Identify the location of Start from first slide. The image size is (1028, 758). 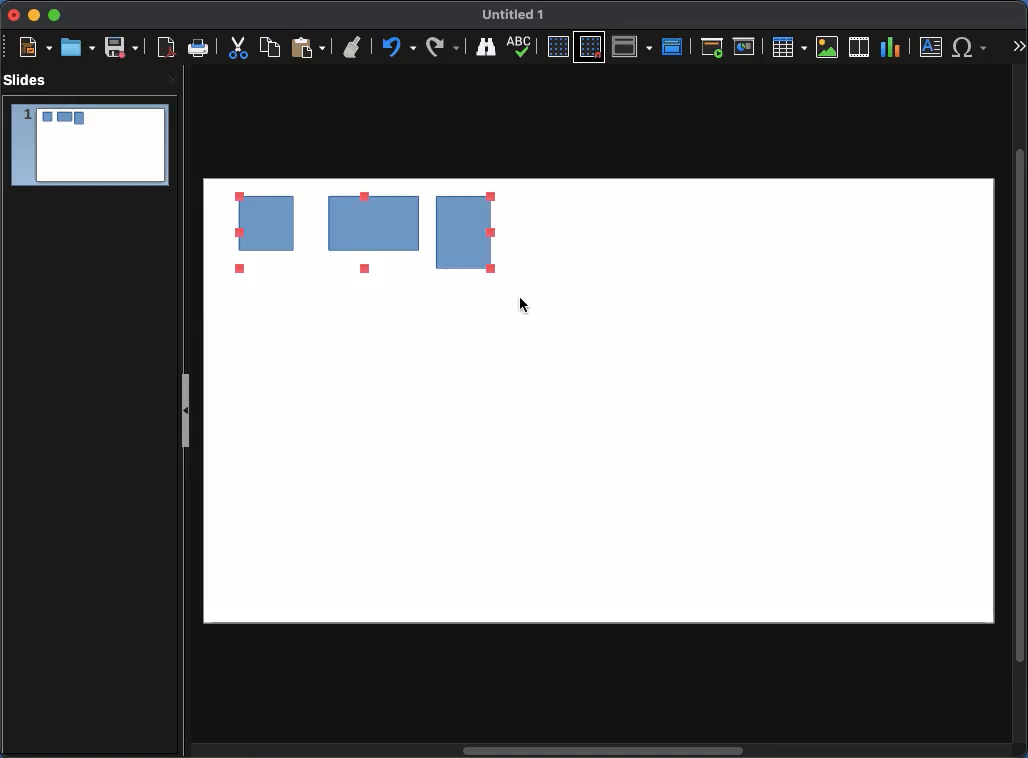
(711, 49).